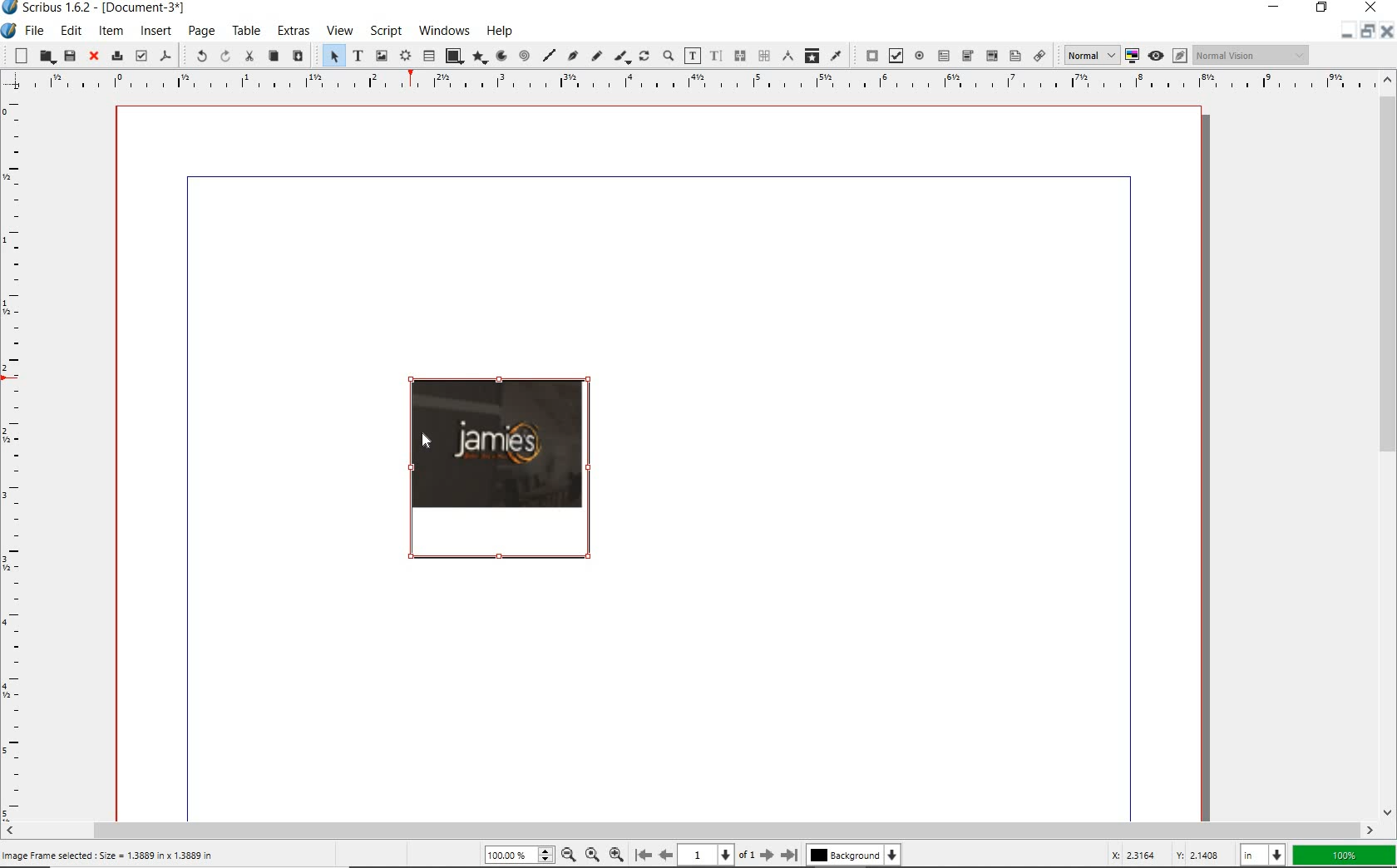  Describe the element at coordinates (199, 55) in the screenshot. I see `UNDO` at that location.